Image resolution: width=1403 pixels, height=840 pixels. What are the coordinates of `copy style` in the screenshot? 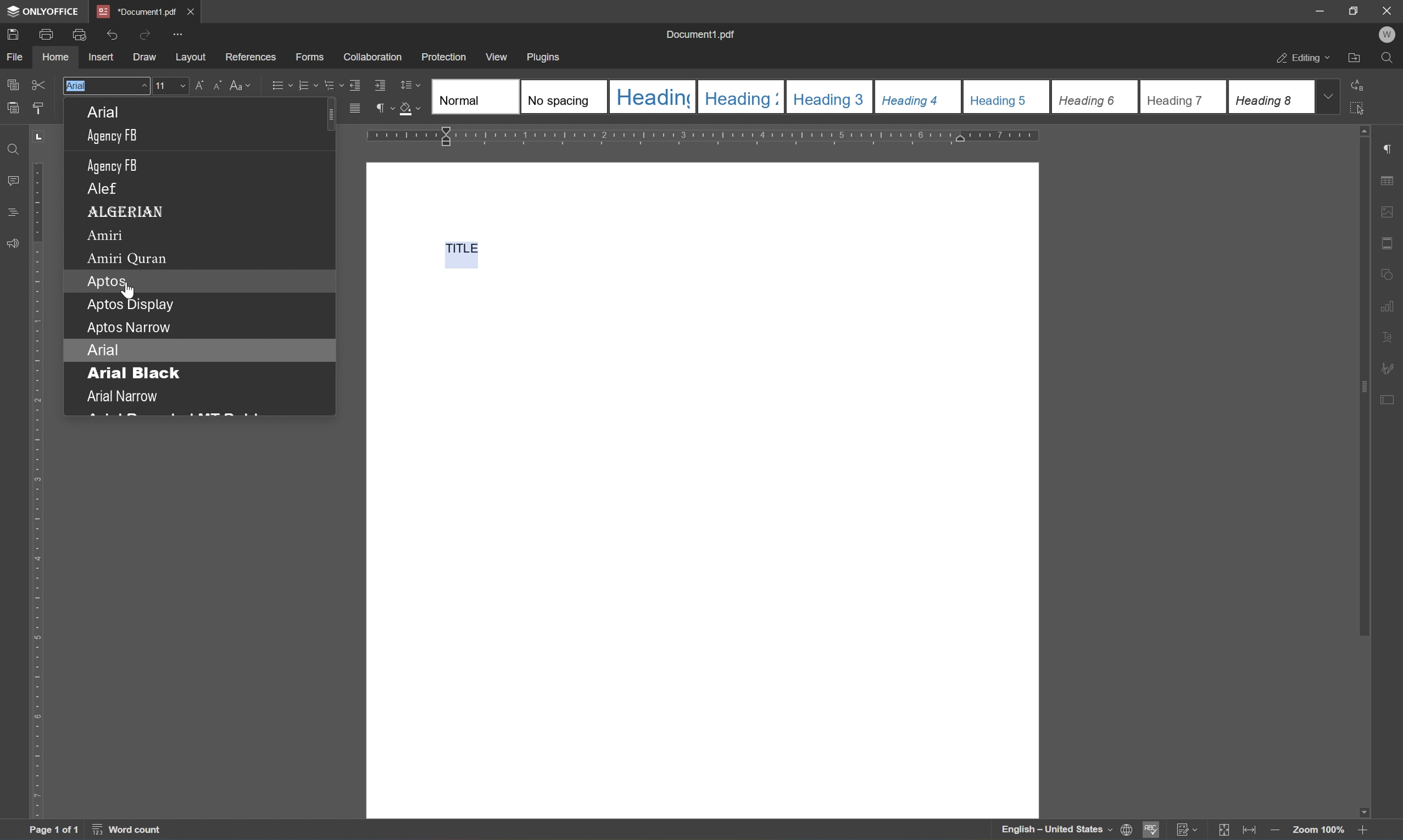 It's located at (40, 106).